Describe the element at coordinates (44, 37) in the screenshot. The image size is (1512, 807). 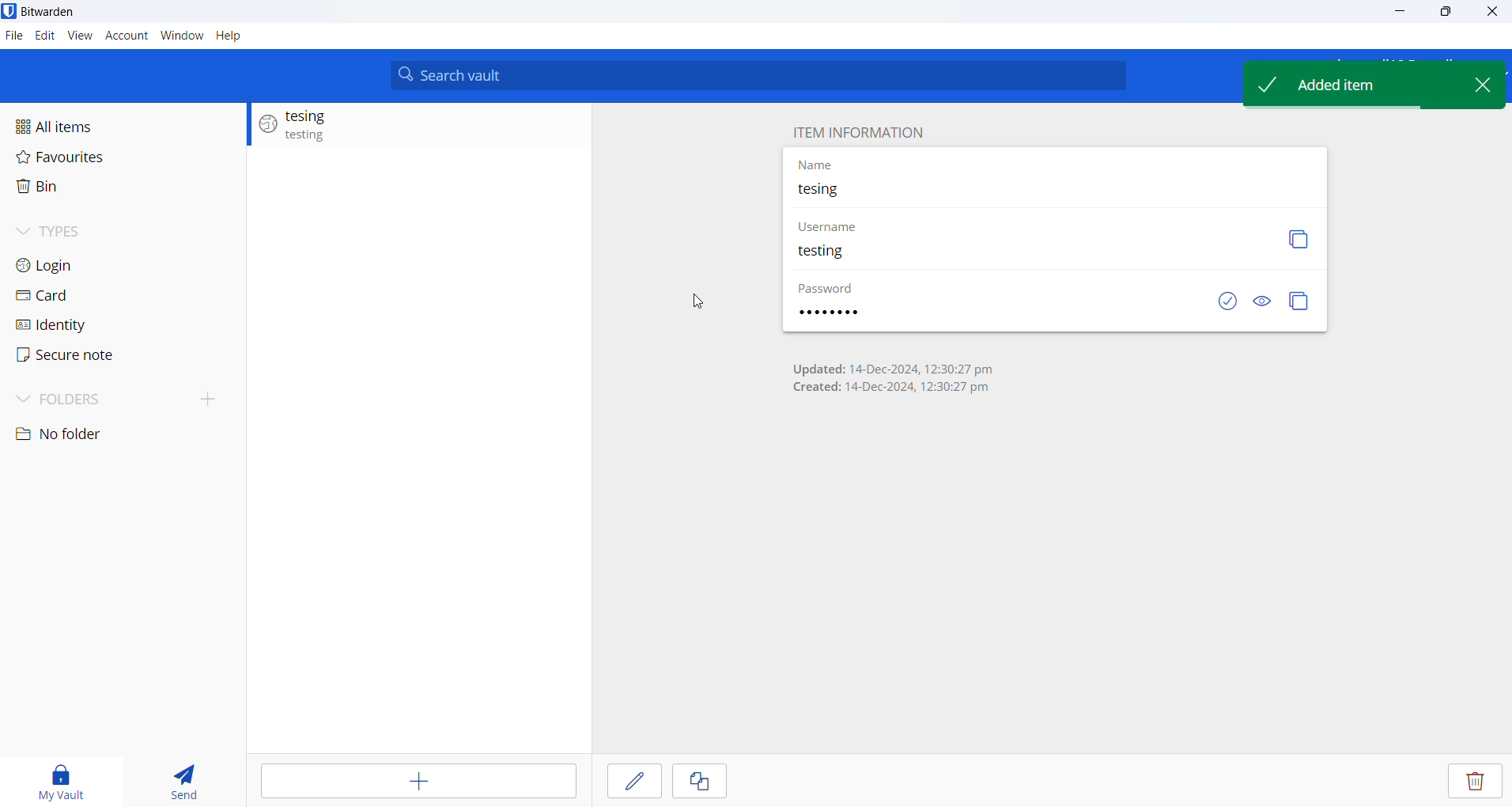
I see `edit` at that location.